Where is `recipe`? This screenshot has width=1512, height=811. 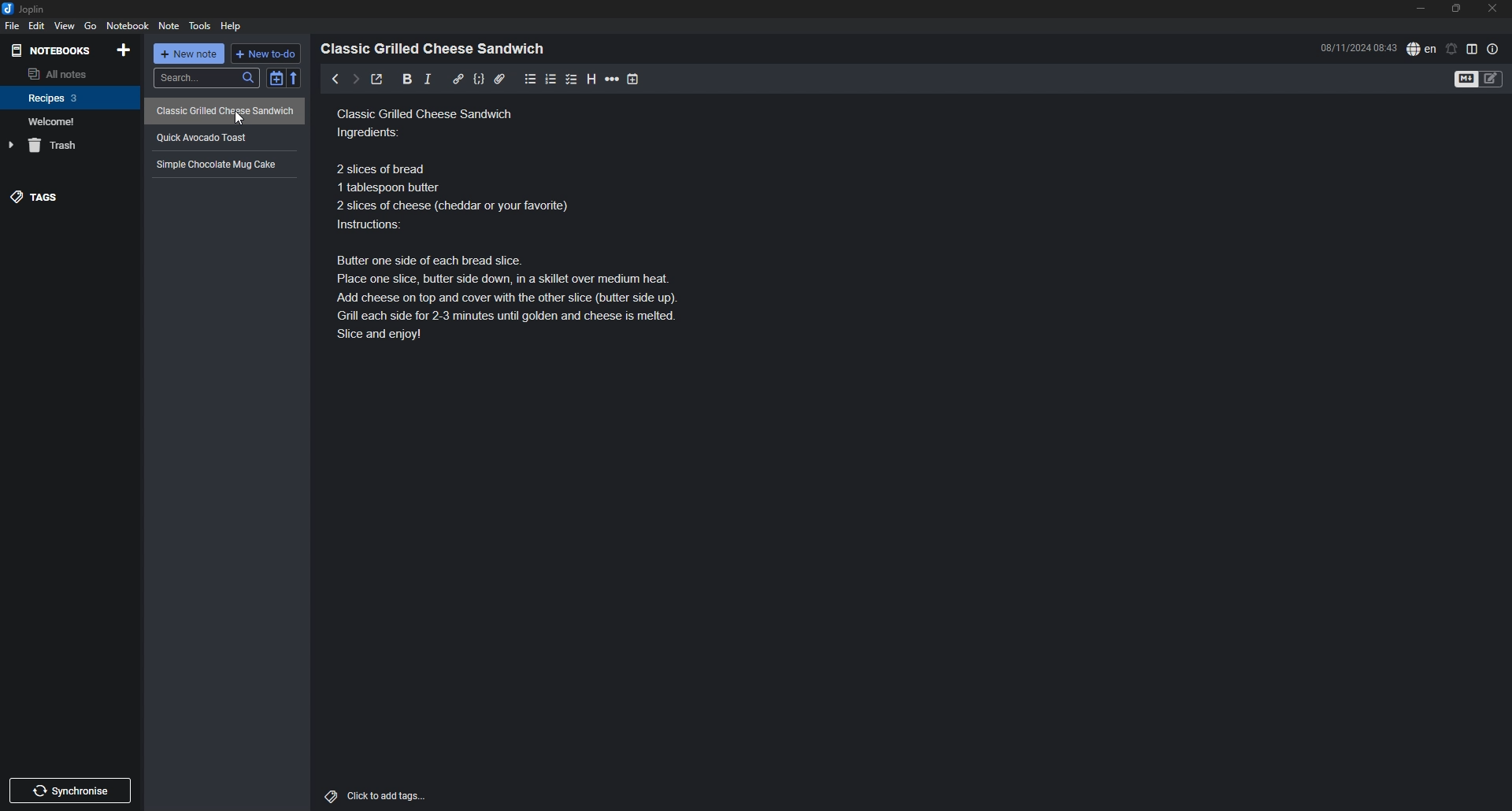 recipe is located at coordinates (222, 137).